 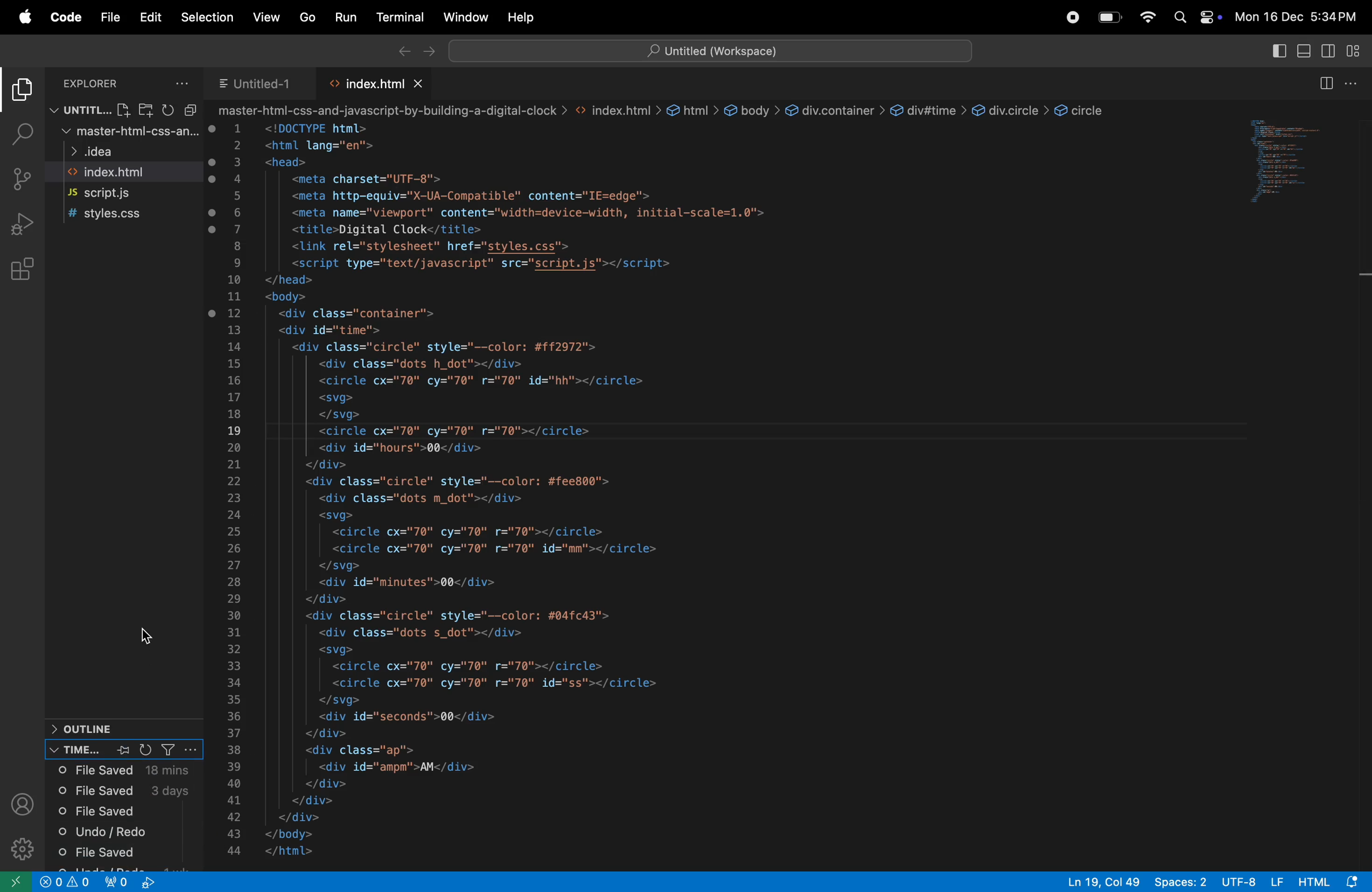 What do you see at coordinates (1238, 879) in the screenshot?
I see `utf -8` at bounding box center [1238, 879].